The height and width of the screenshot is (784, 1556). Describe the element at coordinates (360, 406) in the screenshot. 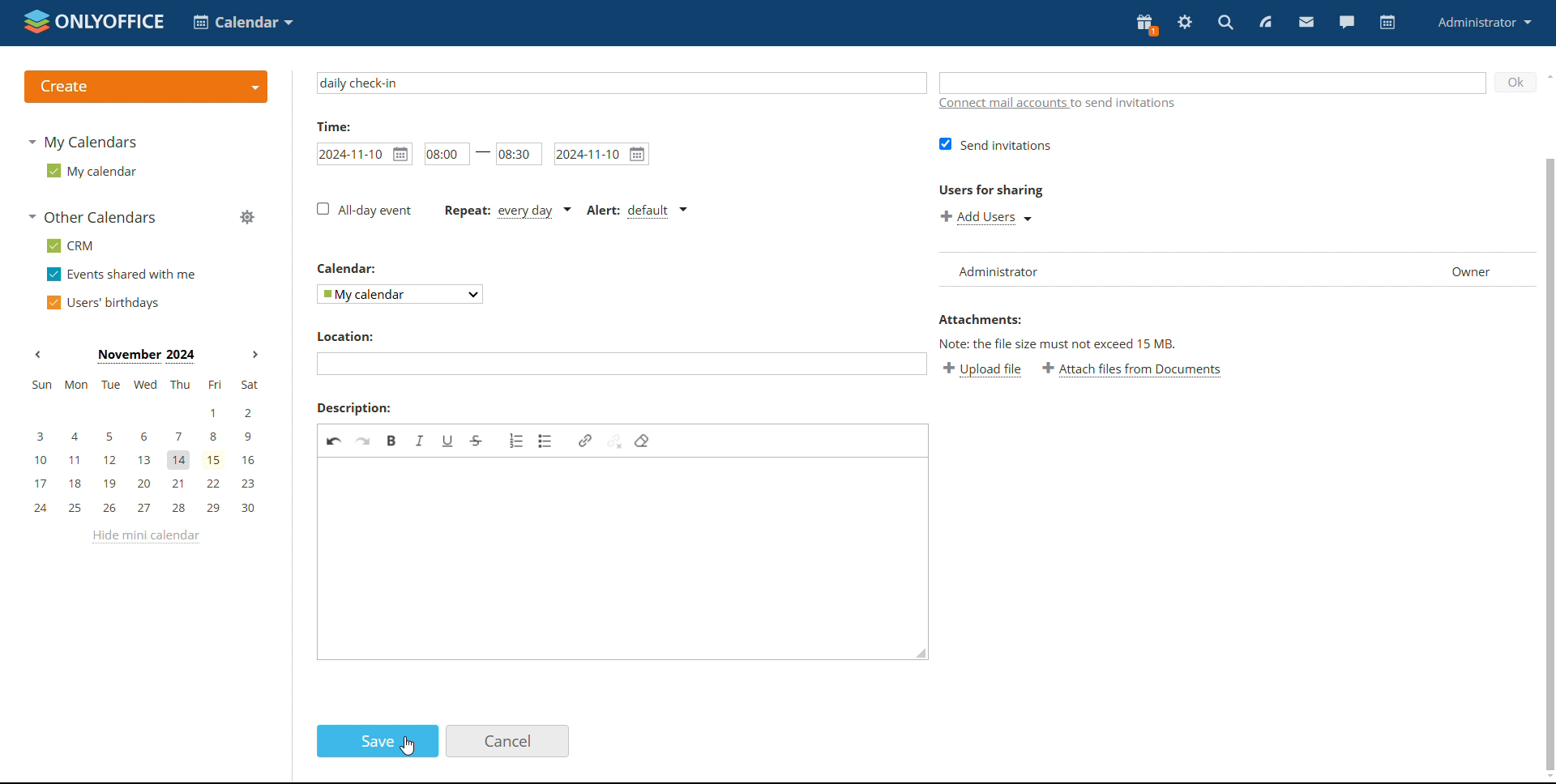

I see `description:` at that location.